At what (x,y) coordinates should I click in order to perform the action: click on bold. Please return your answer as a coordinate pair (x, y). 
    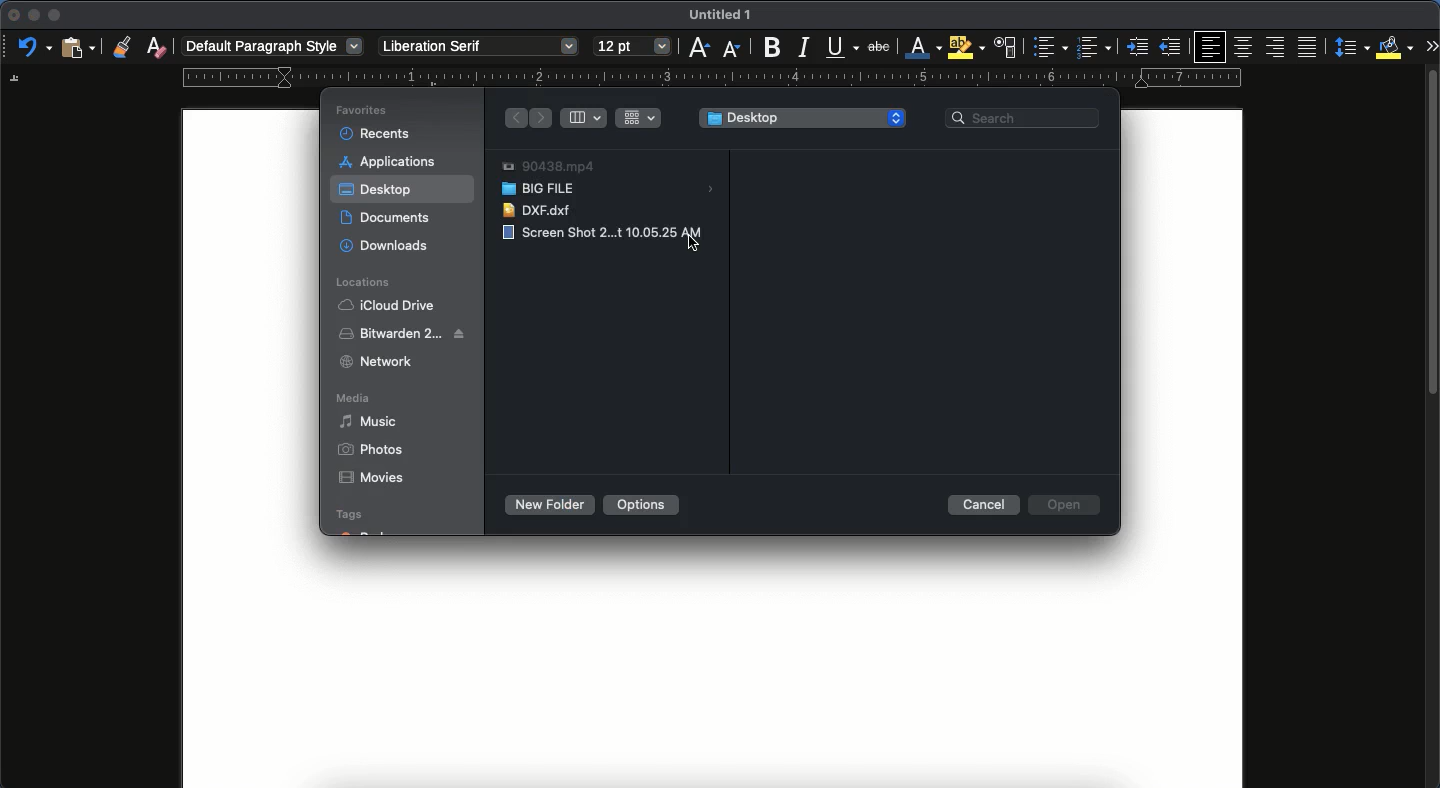
    Looking at the image, I should click on (766, 48).